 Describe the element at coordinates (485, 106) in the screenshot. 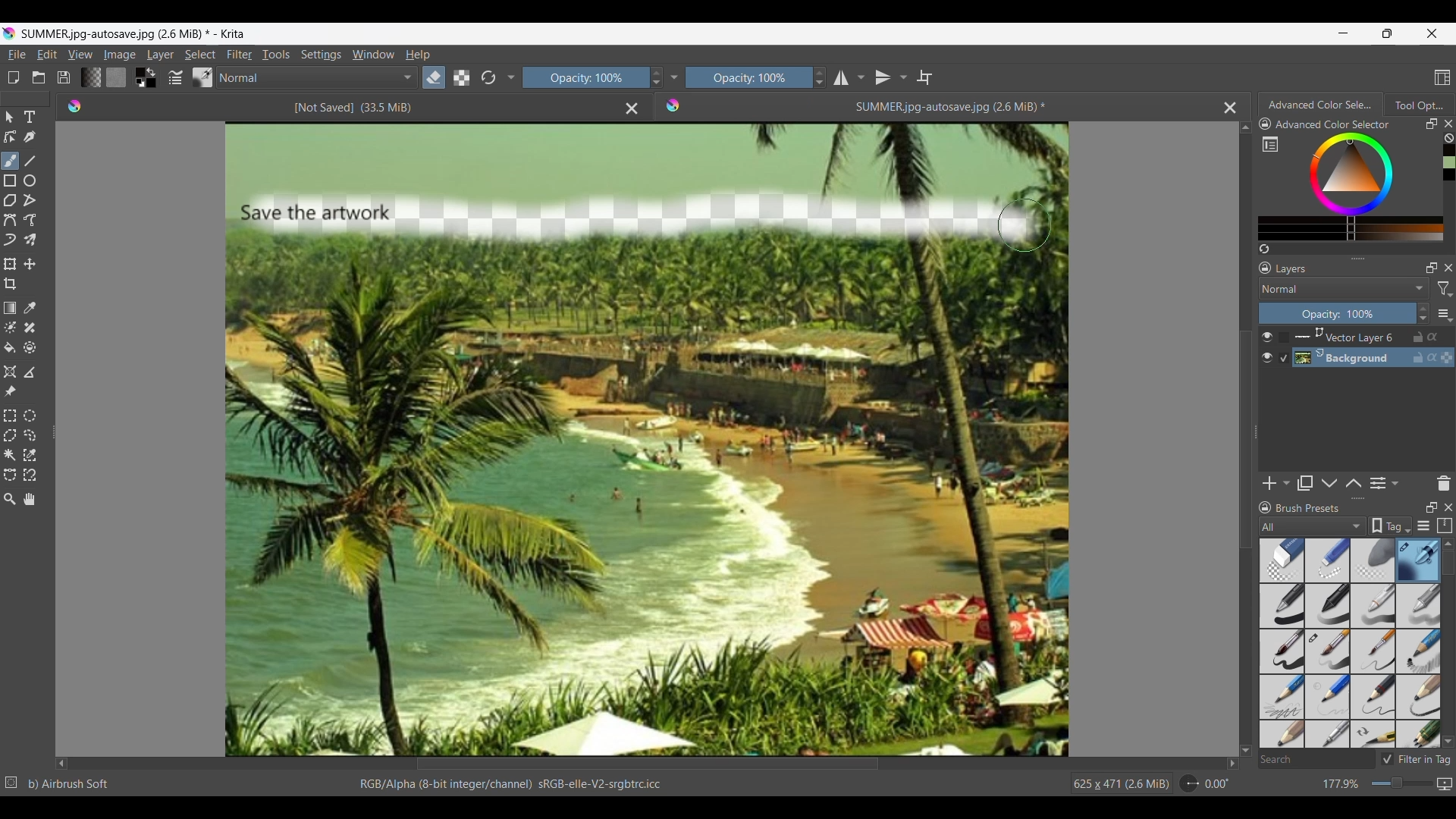

I see `Set eraser mode (E)` at that location.